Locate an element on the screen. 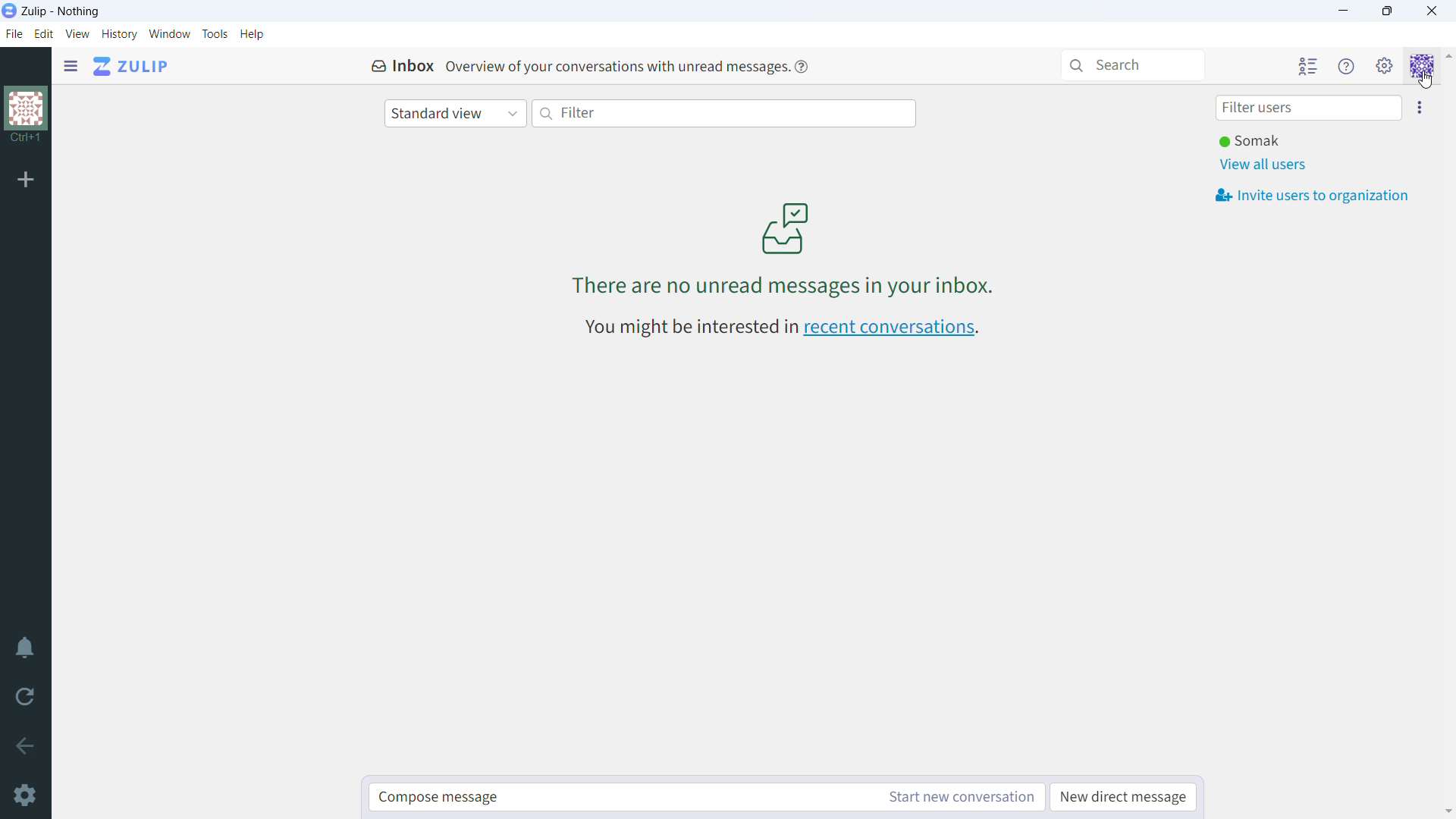 The width and height of the screenshot is (1456, 819). tools is located at coordinates (215, 35).